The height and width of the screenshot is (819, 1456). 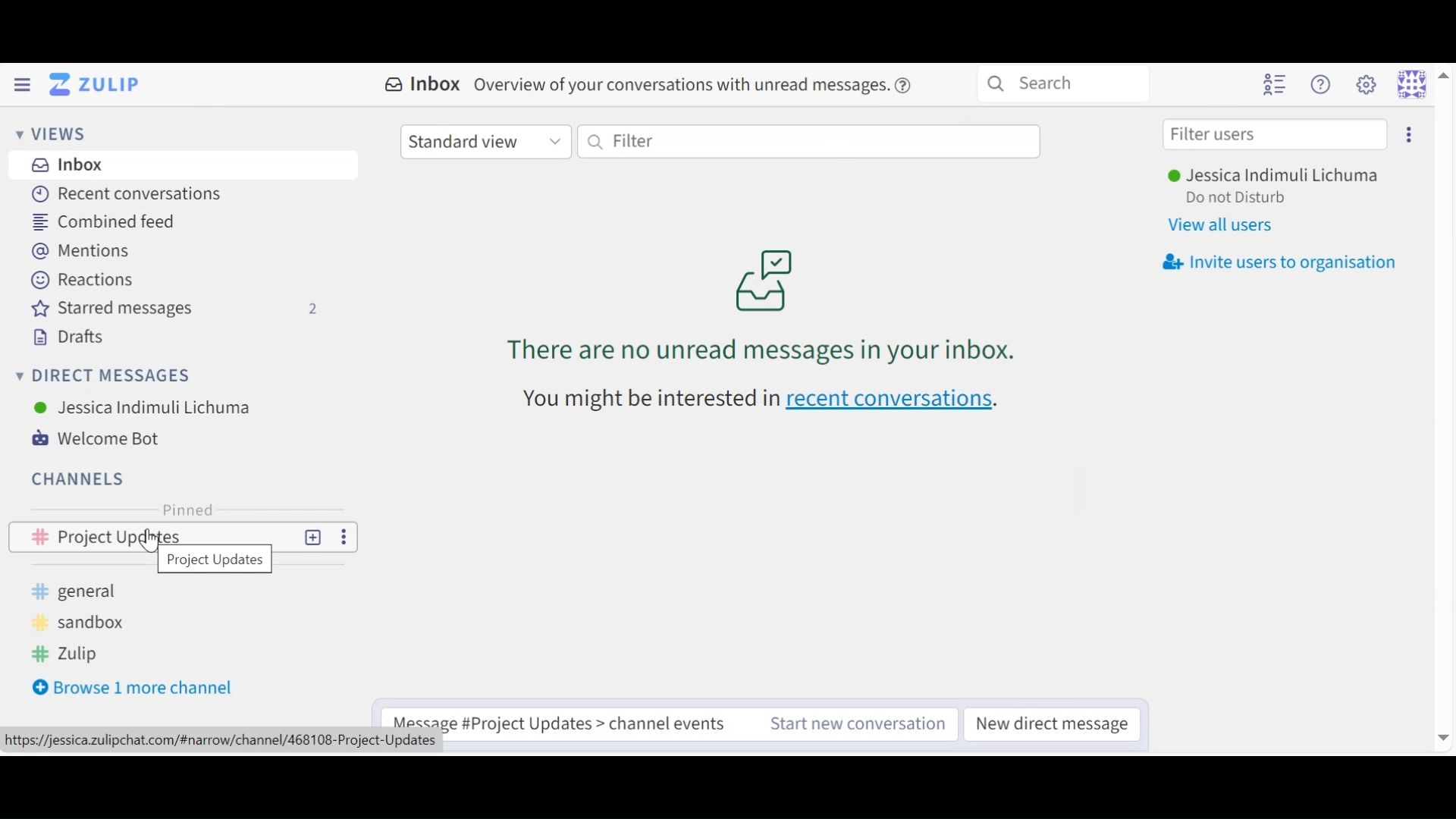 What do you see at coordinates (139, 689) in the screenshot?
I see `Browse more channel` at bounding box center [139, 689].